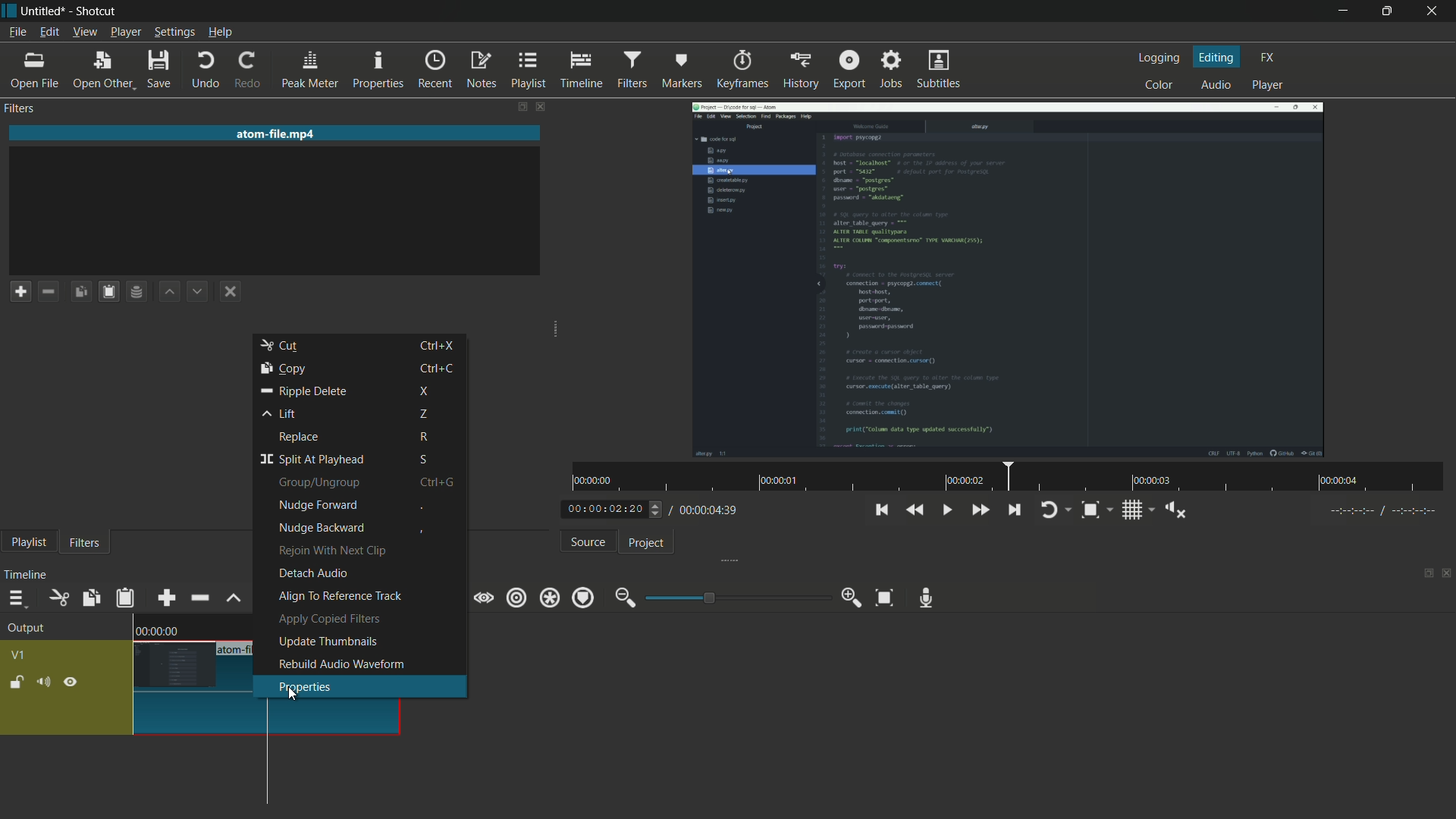 The height and width of the screenshot is (819, 1456). I want to click on paste, so click(124, 598).